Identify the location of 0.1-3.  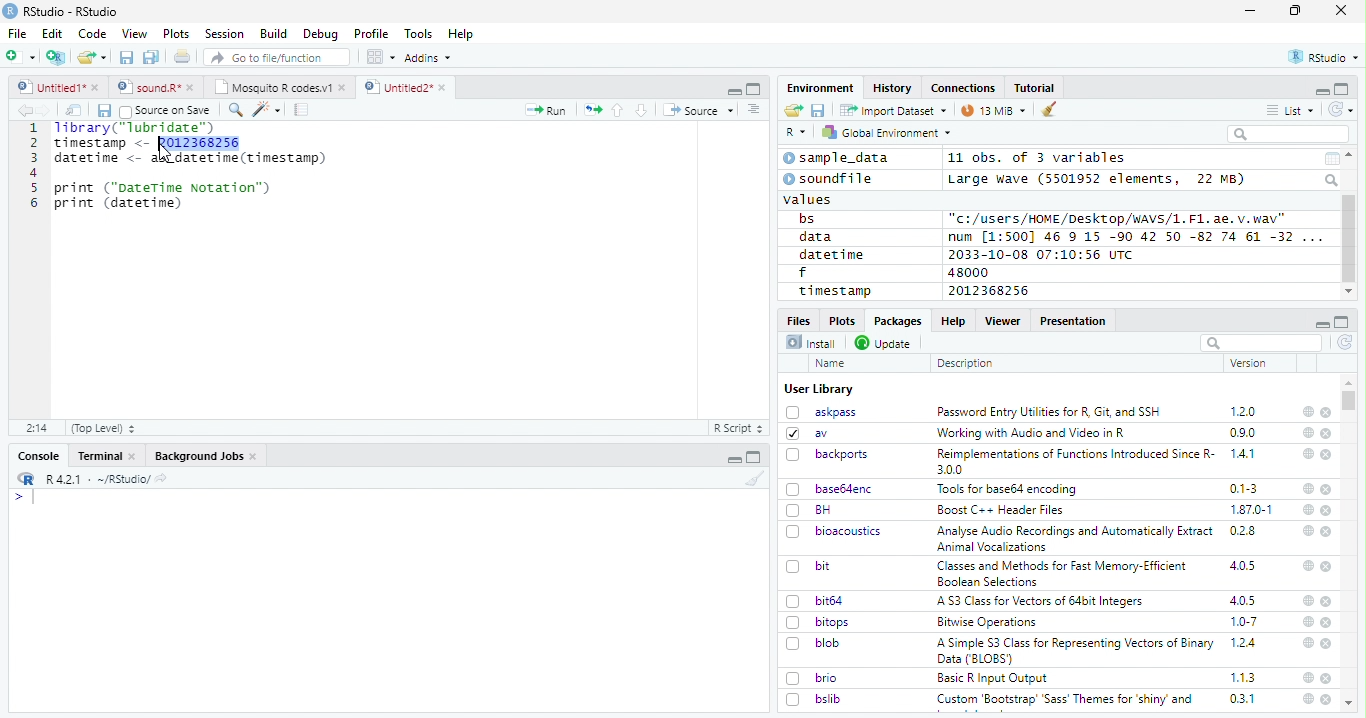
(1247, 488).